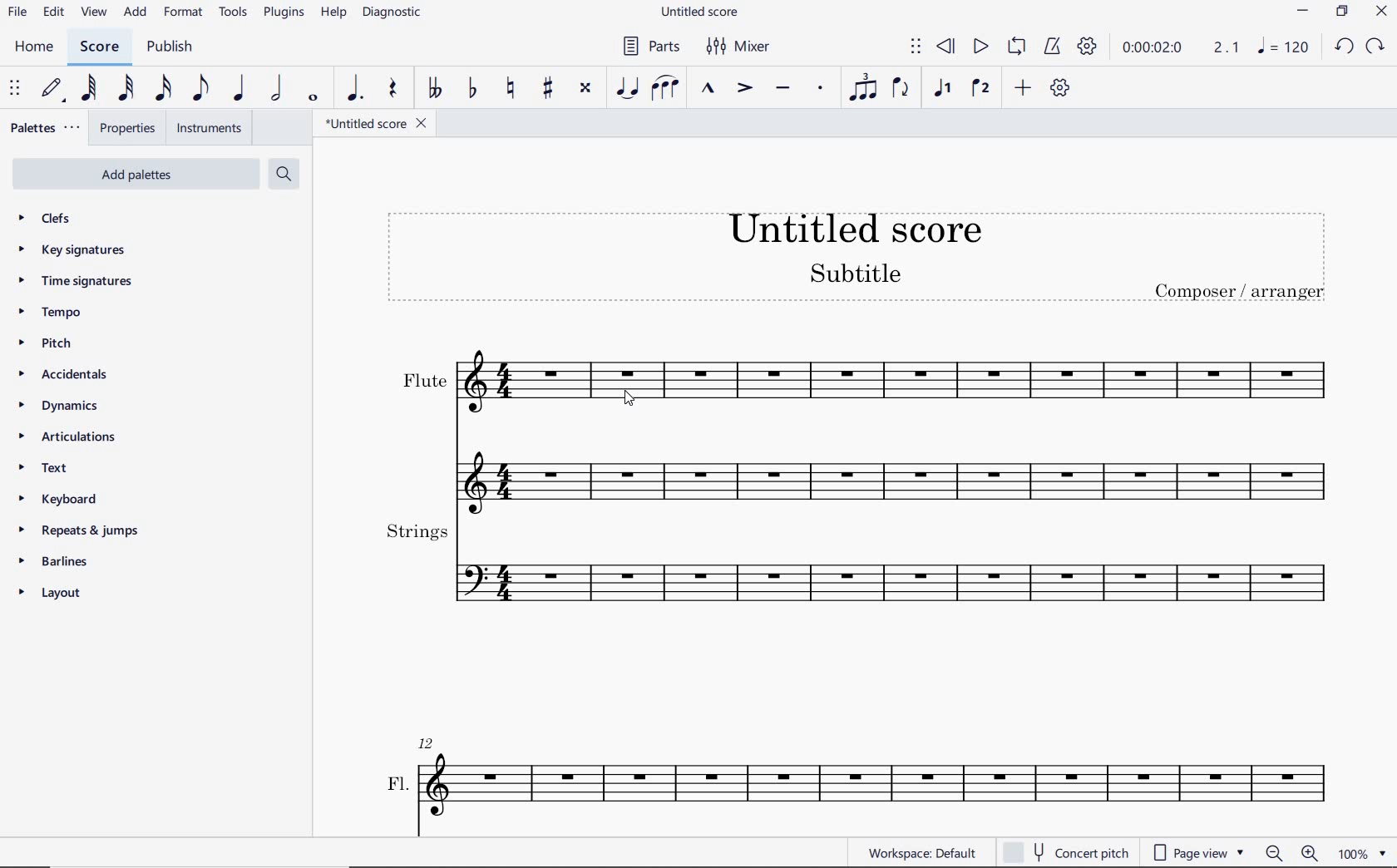  What do you see at coordinates (16, 12) in the screenshot?
I see `file` at bounding box center [16, 12].